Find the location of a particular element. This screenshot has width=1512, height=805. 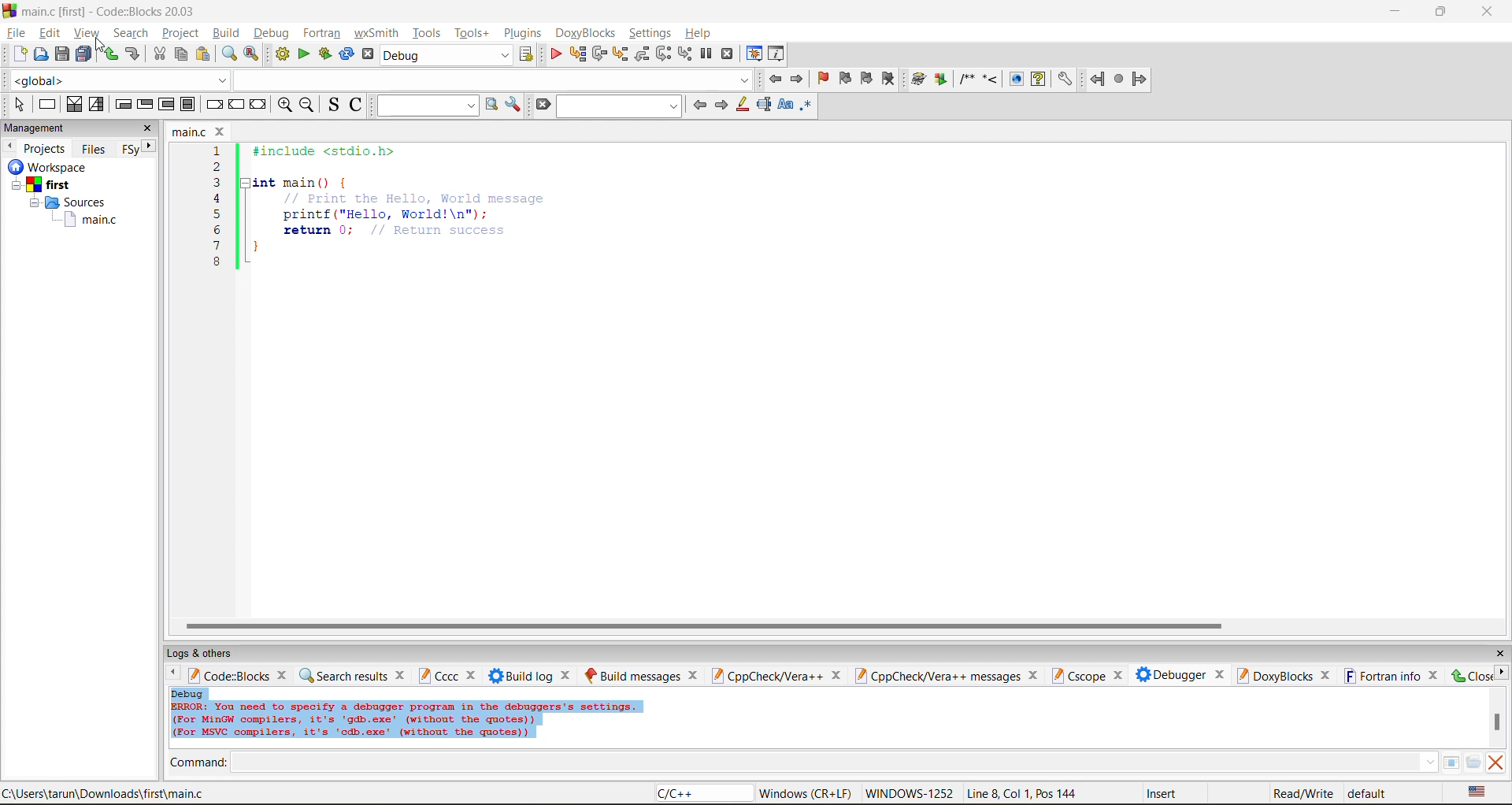

file name is located at coordinates (194, 131).